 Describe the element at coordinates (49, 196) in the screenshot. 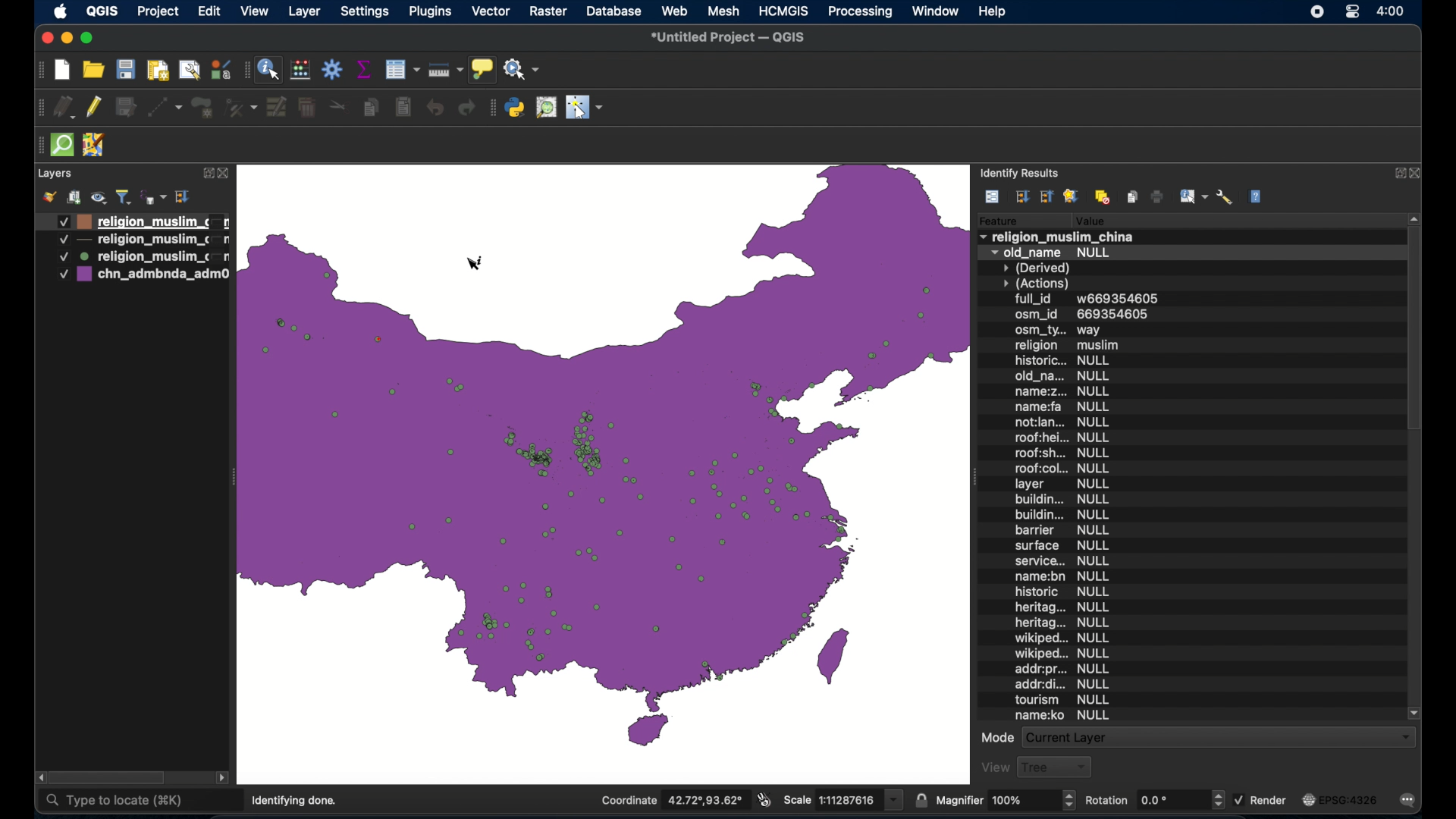

I see `open styling panel ` at that location.